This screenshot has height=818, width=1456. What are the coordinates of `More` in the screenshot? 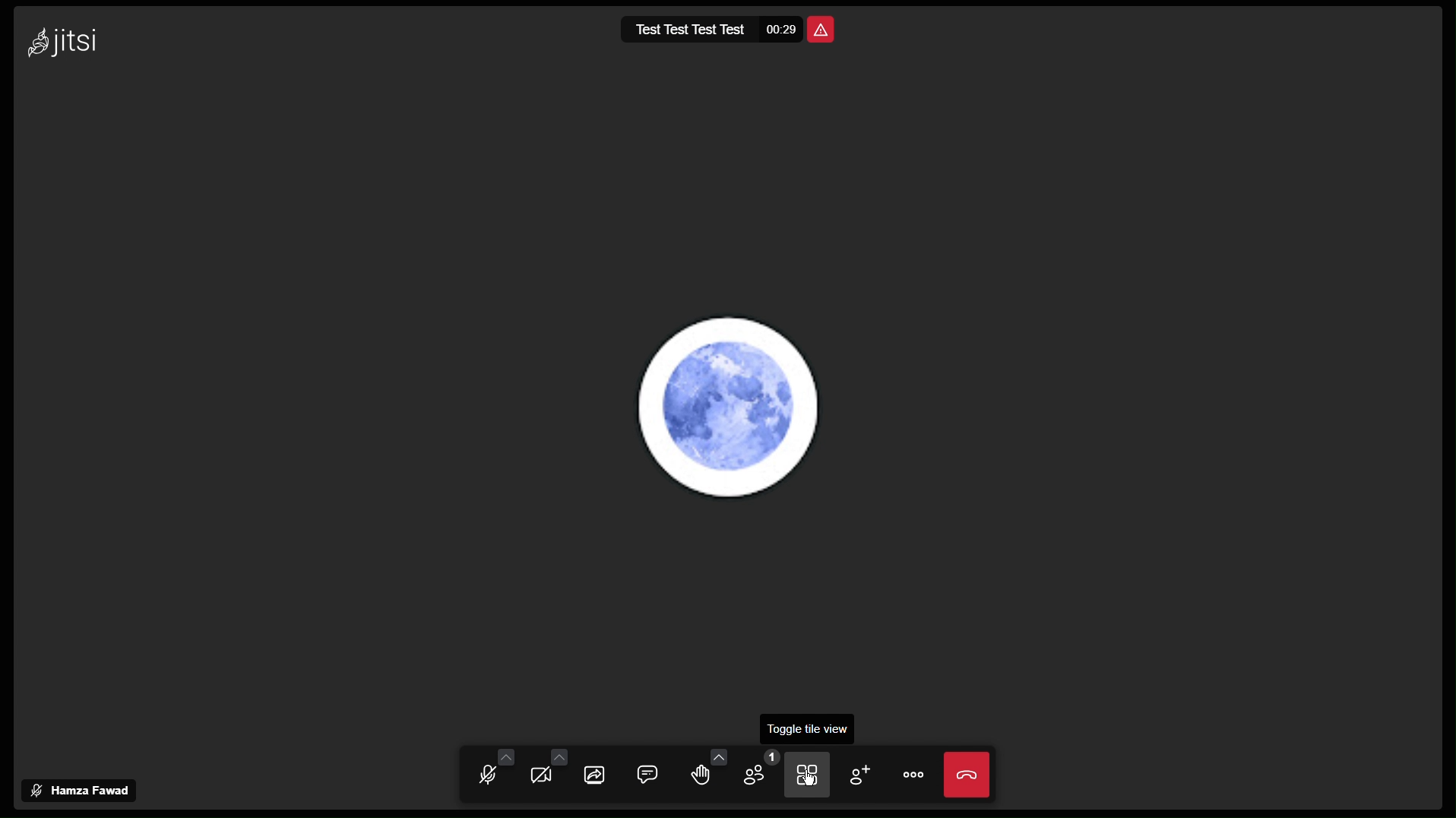 It's located at (918, 778).